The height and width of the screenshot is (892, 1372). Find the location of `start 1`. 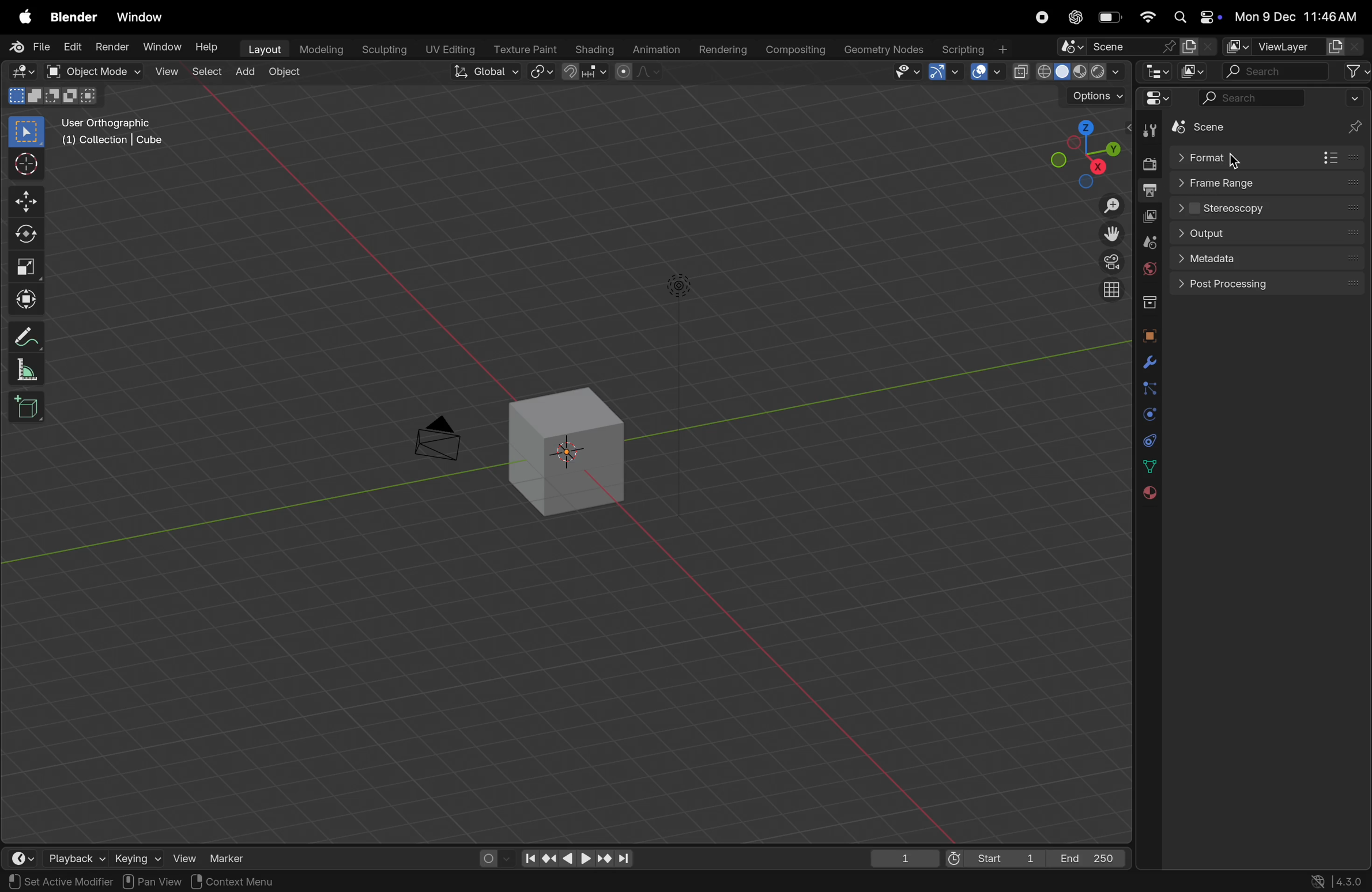

start 1 is located at coordinates (993, 857).